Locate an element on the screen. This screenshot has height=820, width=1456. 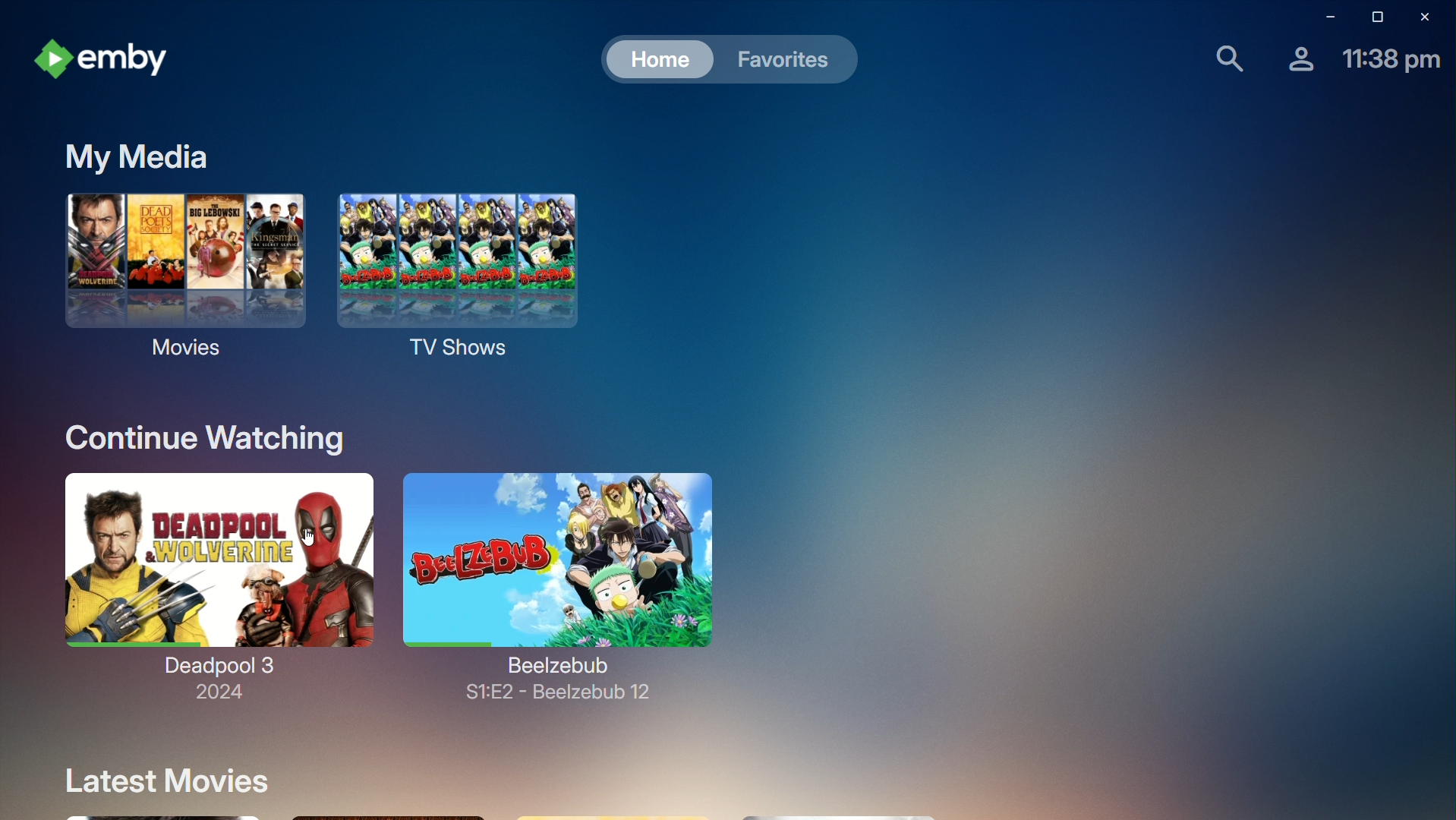
Beelzebub 12 is located at coordinates (556, 694).